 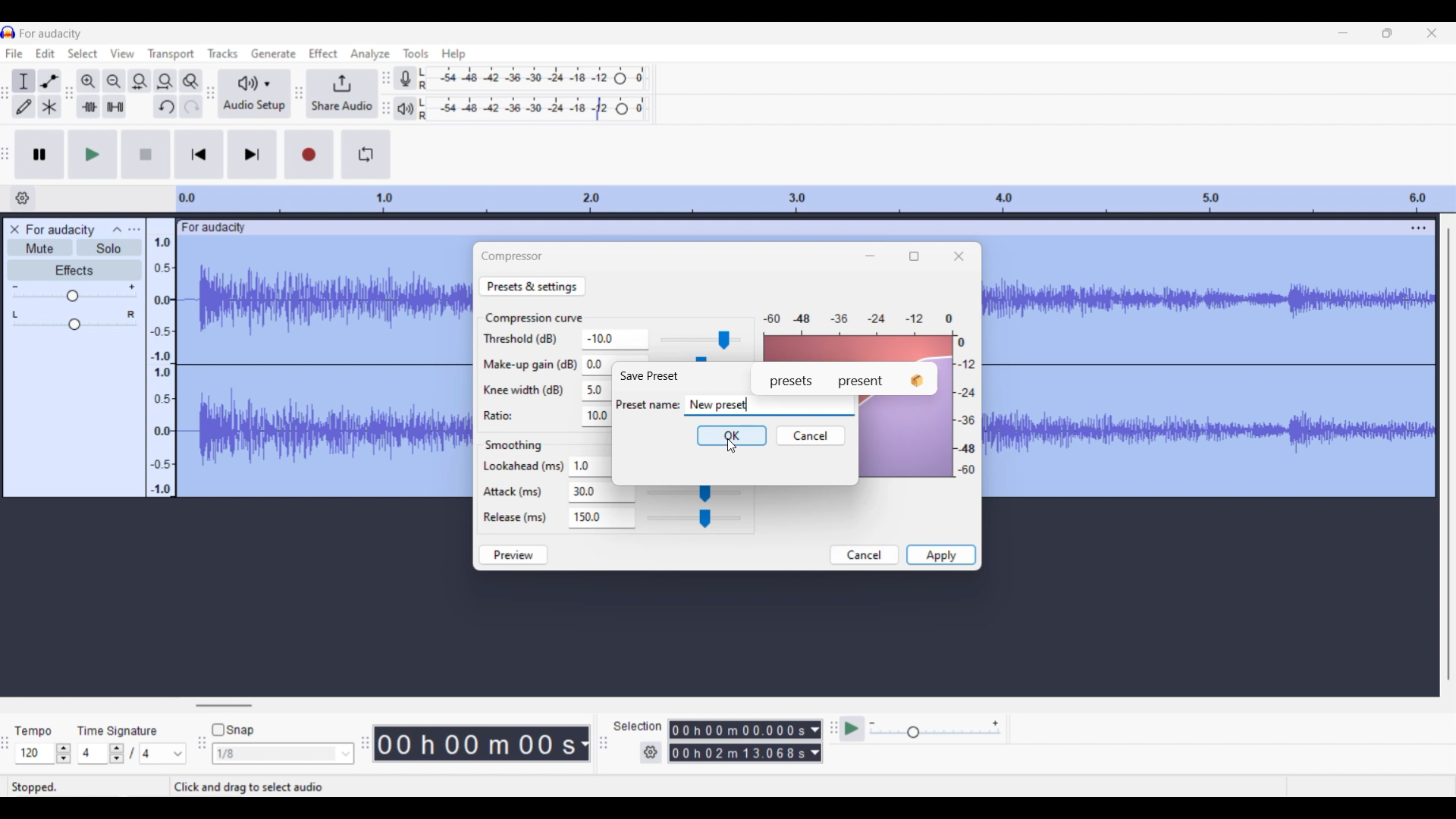 I want to click on Text box for ratio, so click(x=595, y=416).